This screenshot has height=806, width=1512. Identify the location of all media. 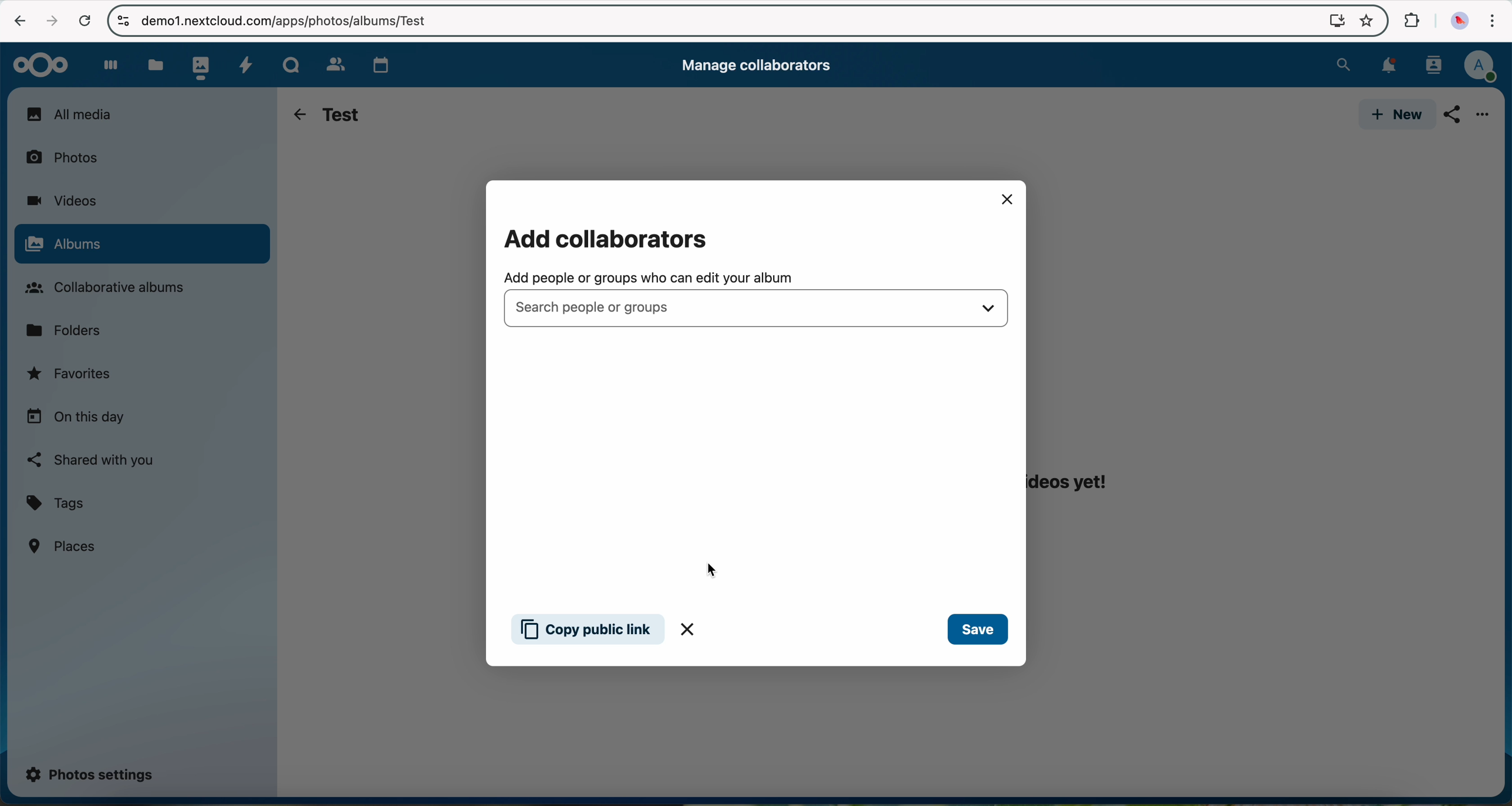
(141, 114).